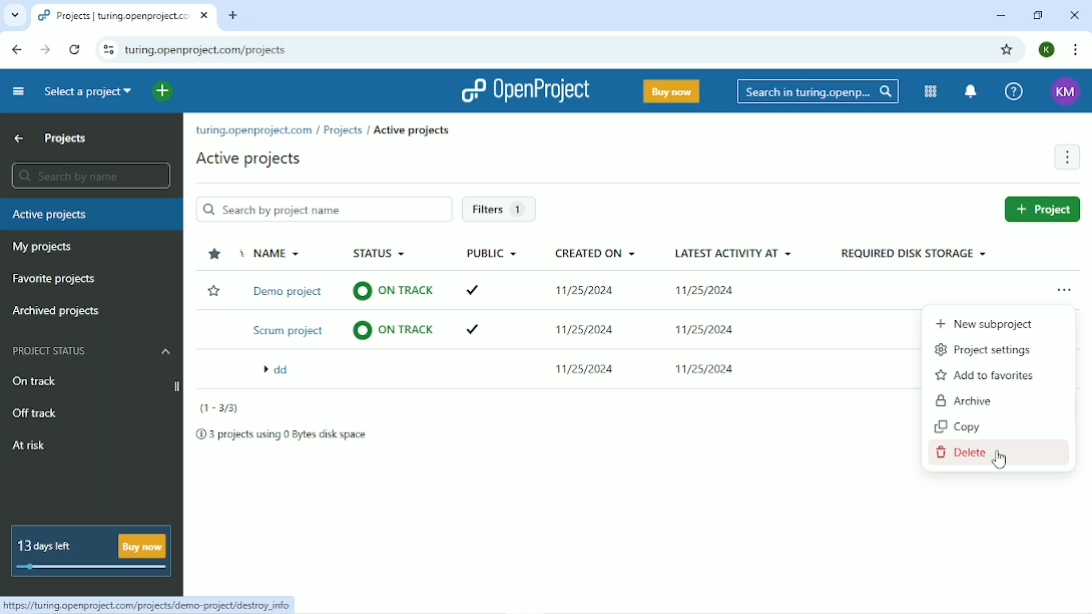 This screenshot has height=614, width=1092. Describe the element at coordinates (414, 131) in the screenshot. I see `Active projects` at that location.